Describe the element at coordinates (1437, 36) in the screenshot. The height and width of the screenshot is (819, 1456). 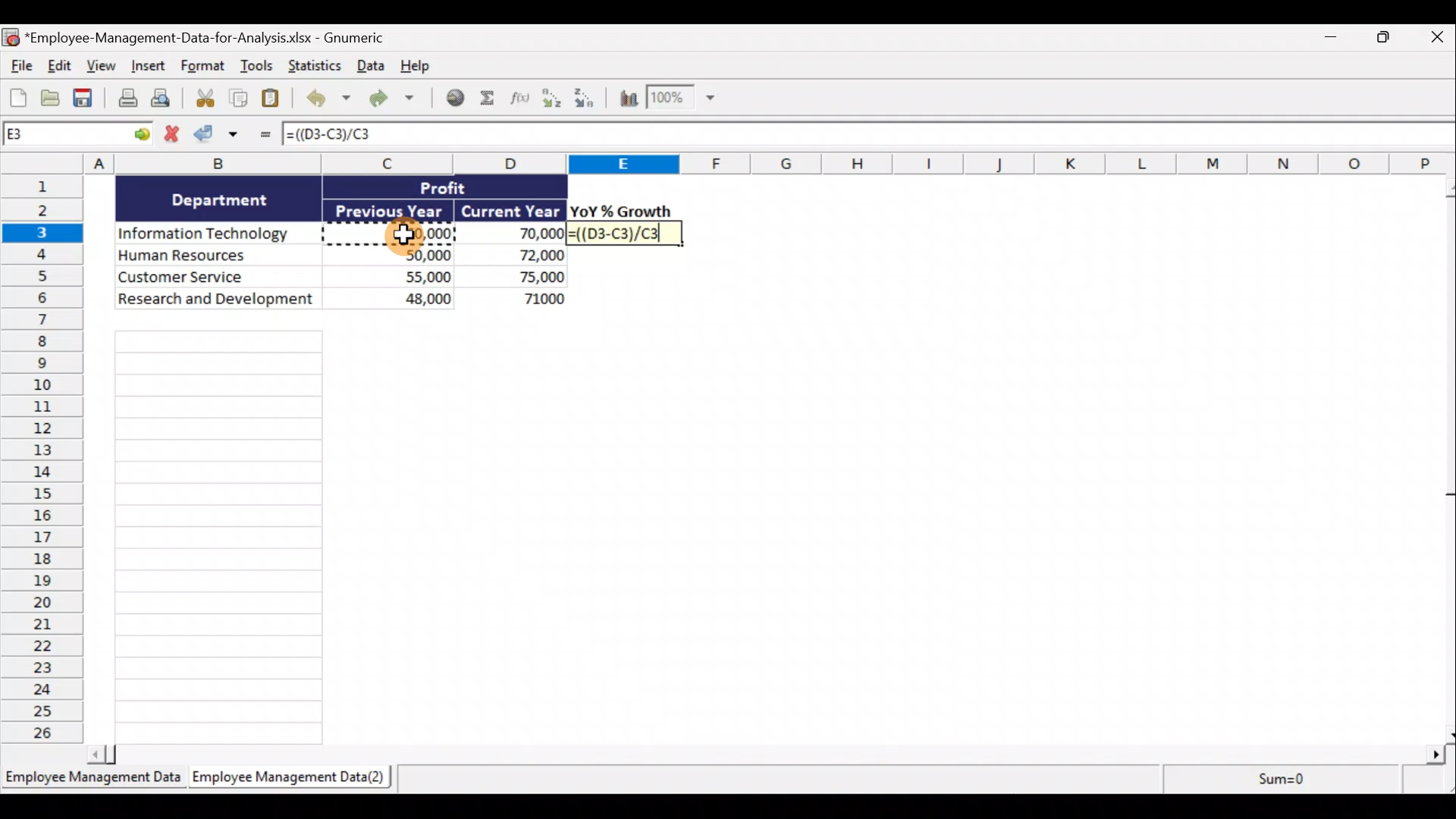
I see `Close` at that location.